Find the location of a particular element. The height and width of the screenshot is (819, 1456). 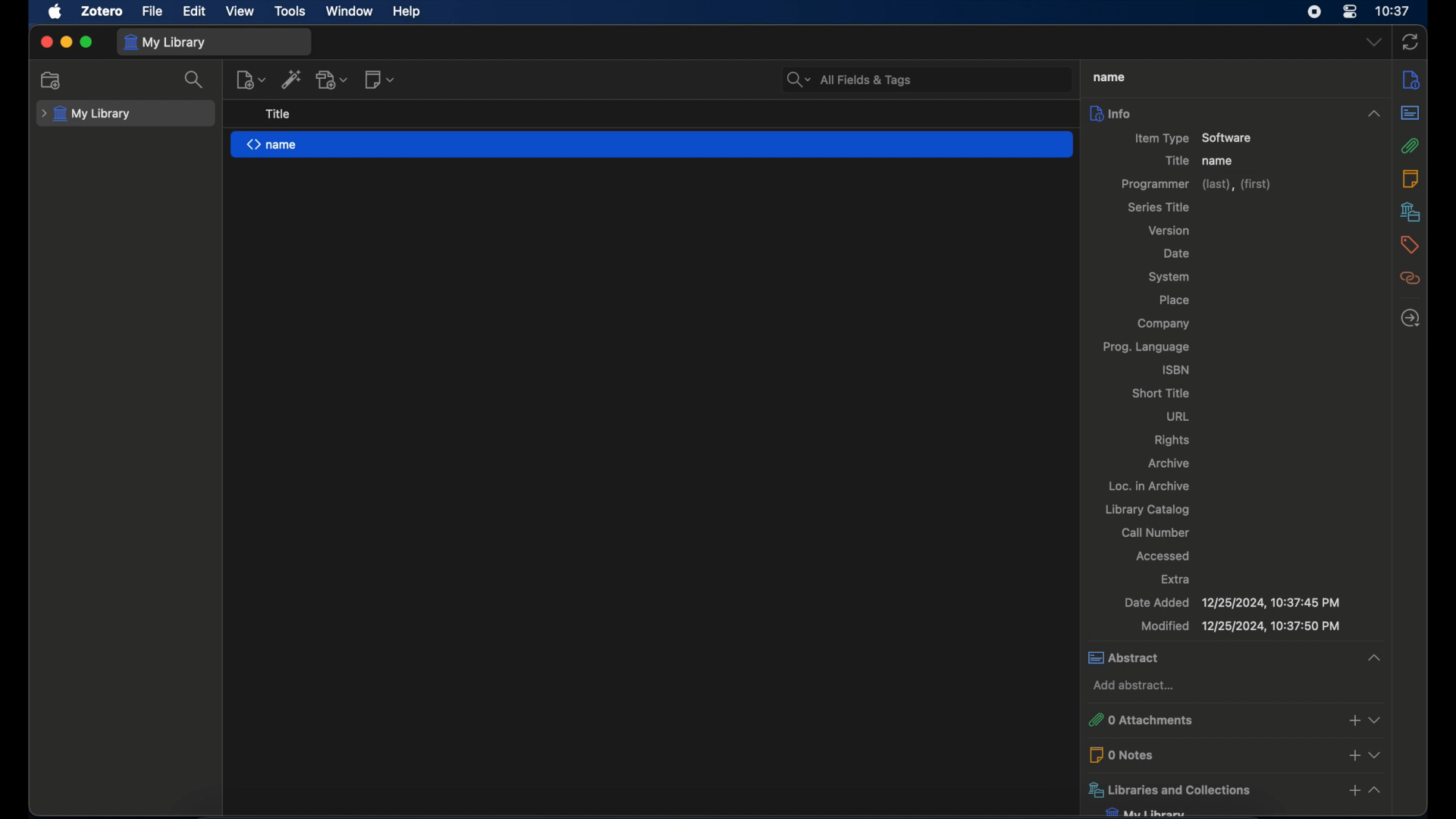

dropdown is located at coordinates (1375, 43).